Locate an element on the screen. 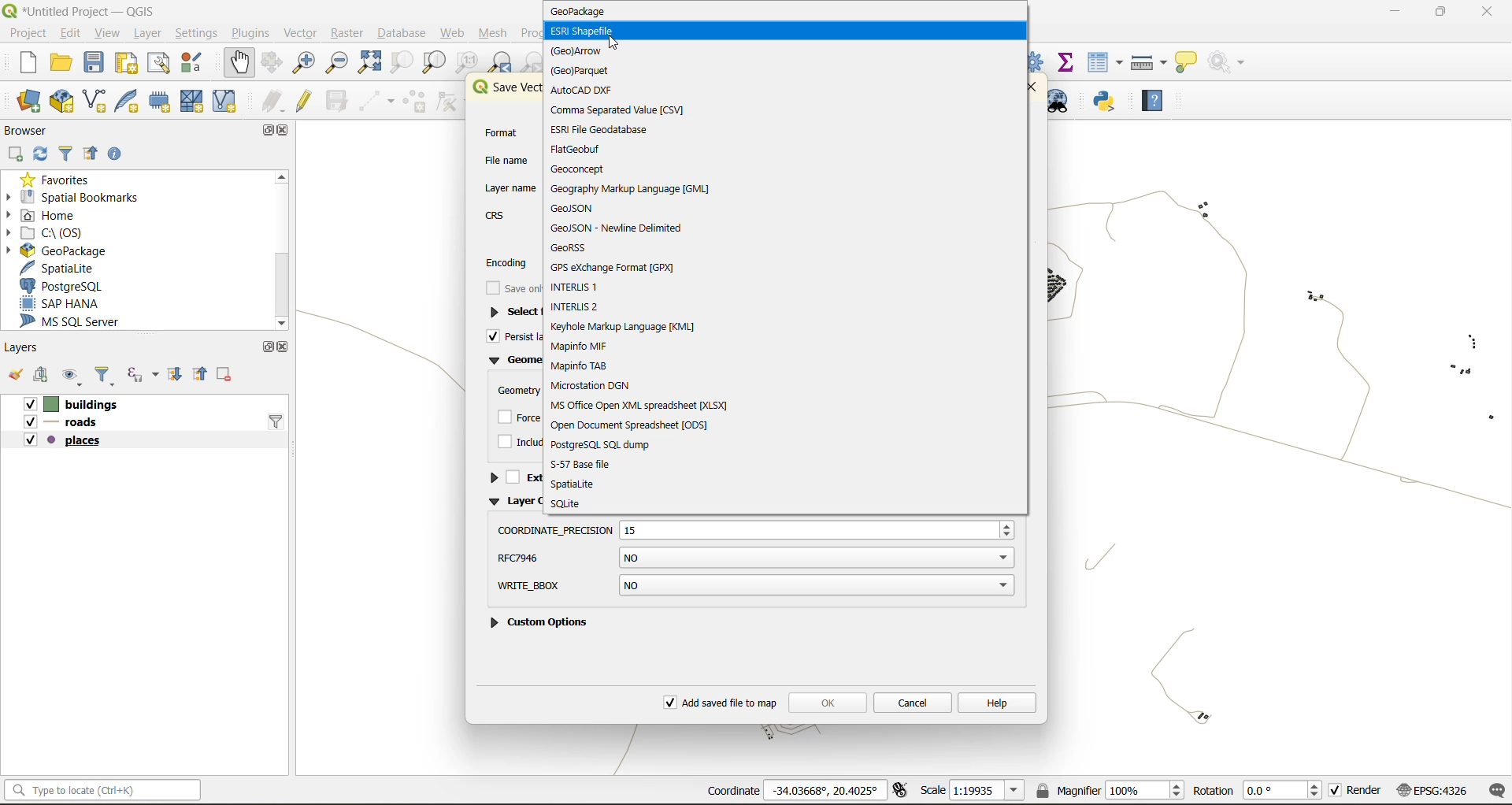  zoom full is located at coordinates (369, 63).